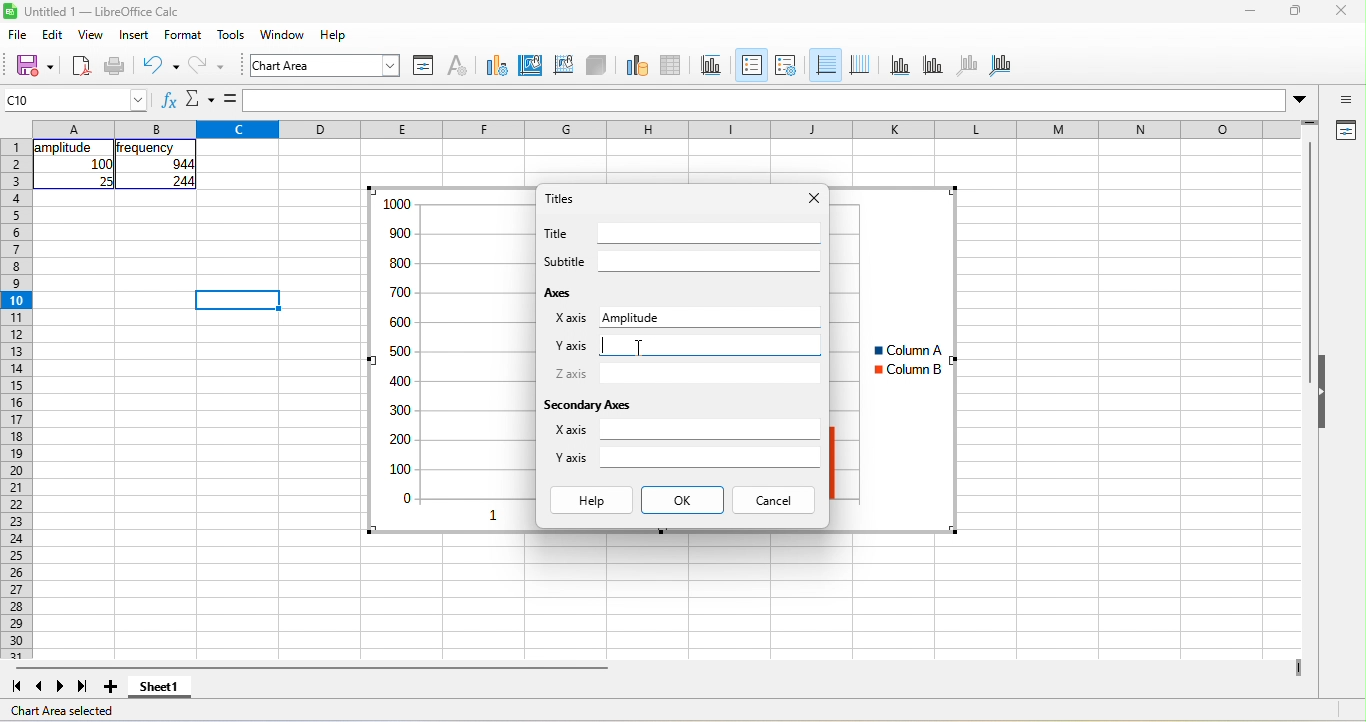 The image size is (1366, 722). Describe the element at coordinates (16, 687) in the screenshot. I see `first sheet` at that location.